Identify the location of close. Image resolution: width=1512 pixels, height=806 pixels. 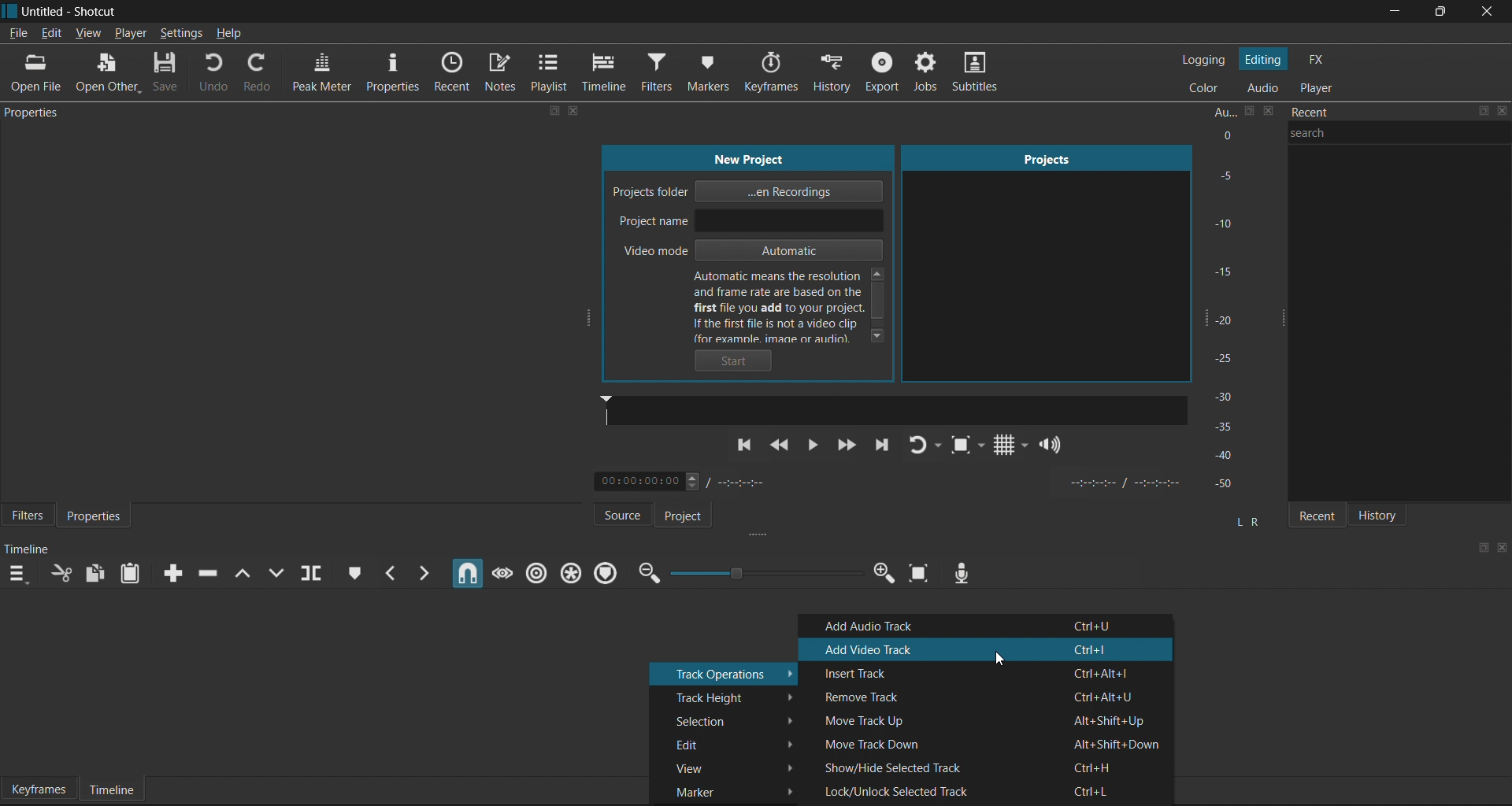
(1502, 546).